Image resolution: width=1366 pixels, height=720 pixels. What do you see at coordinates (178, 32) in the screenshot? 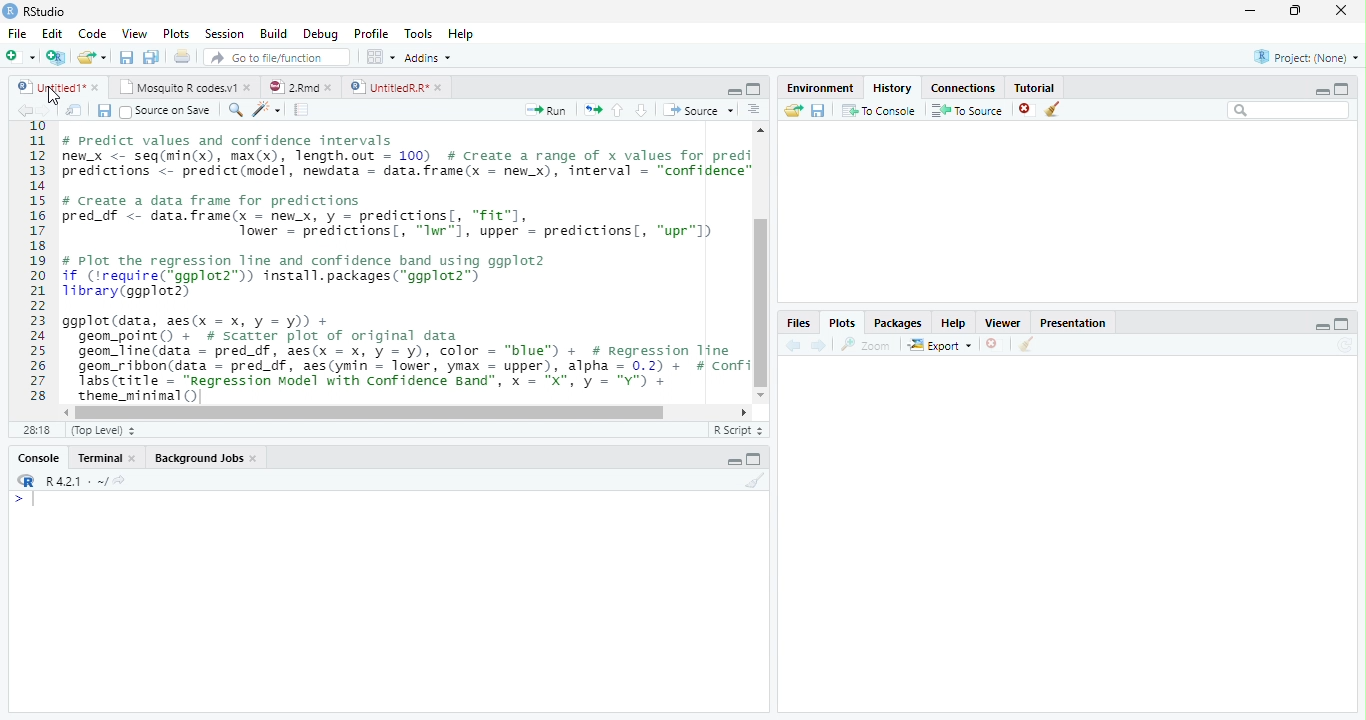
I see `Plots` at bounding box center [178, 32].